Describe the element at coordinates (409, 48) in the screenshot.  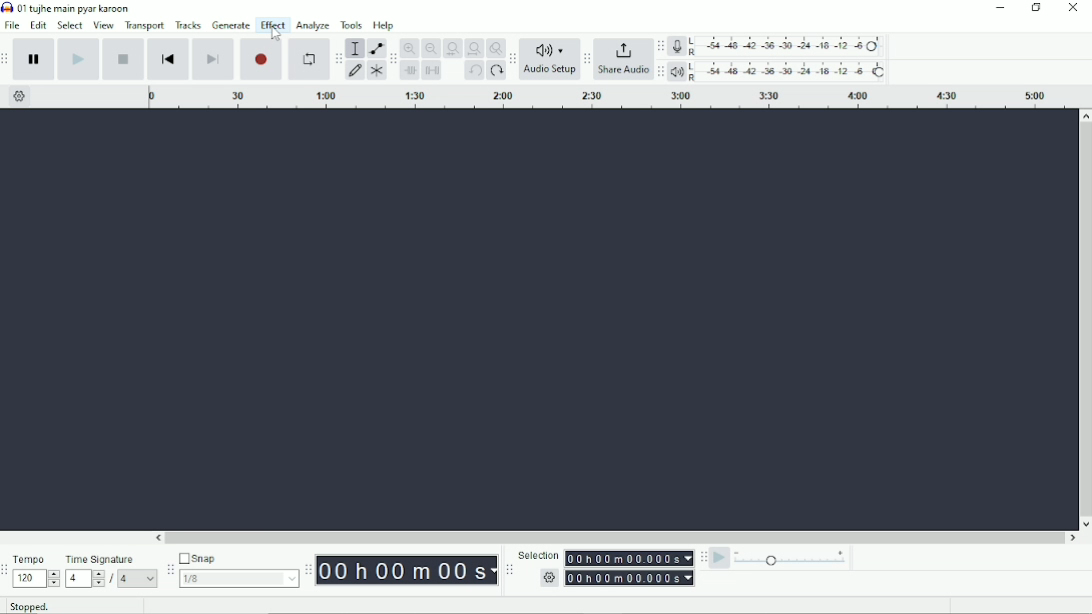
I see `Zoom In` at that location.